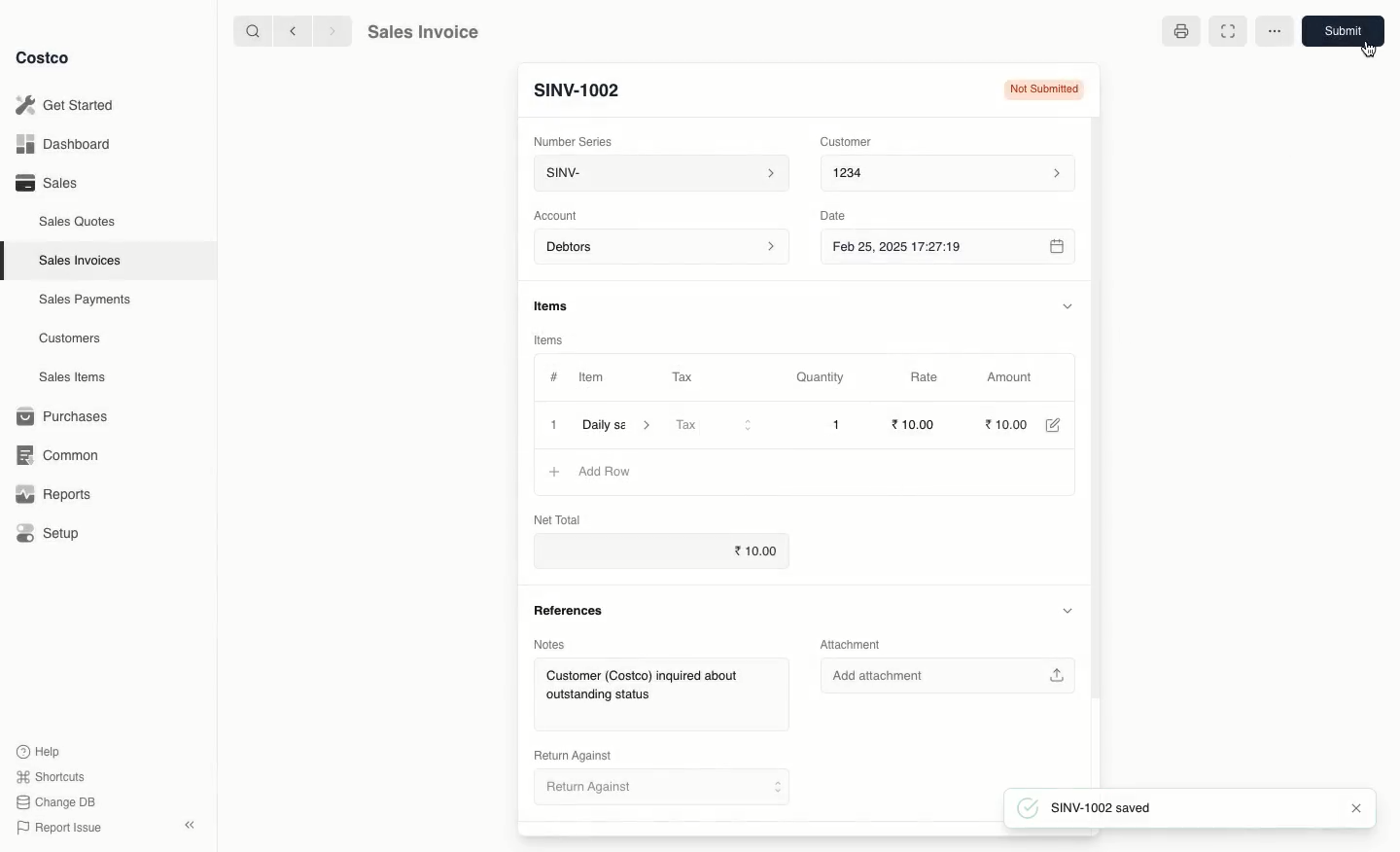 The image size is (1400, 852). I want to click on Submit, so click(1342, 32).